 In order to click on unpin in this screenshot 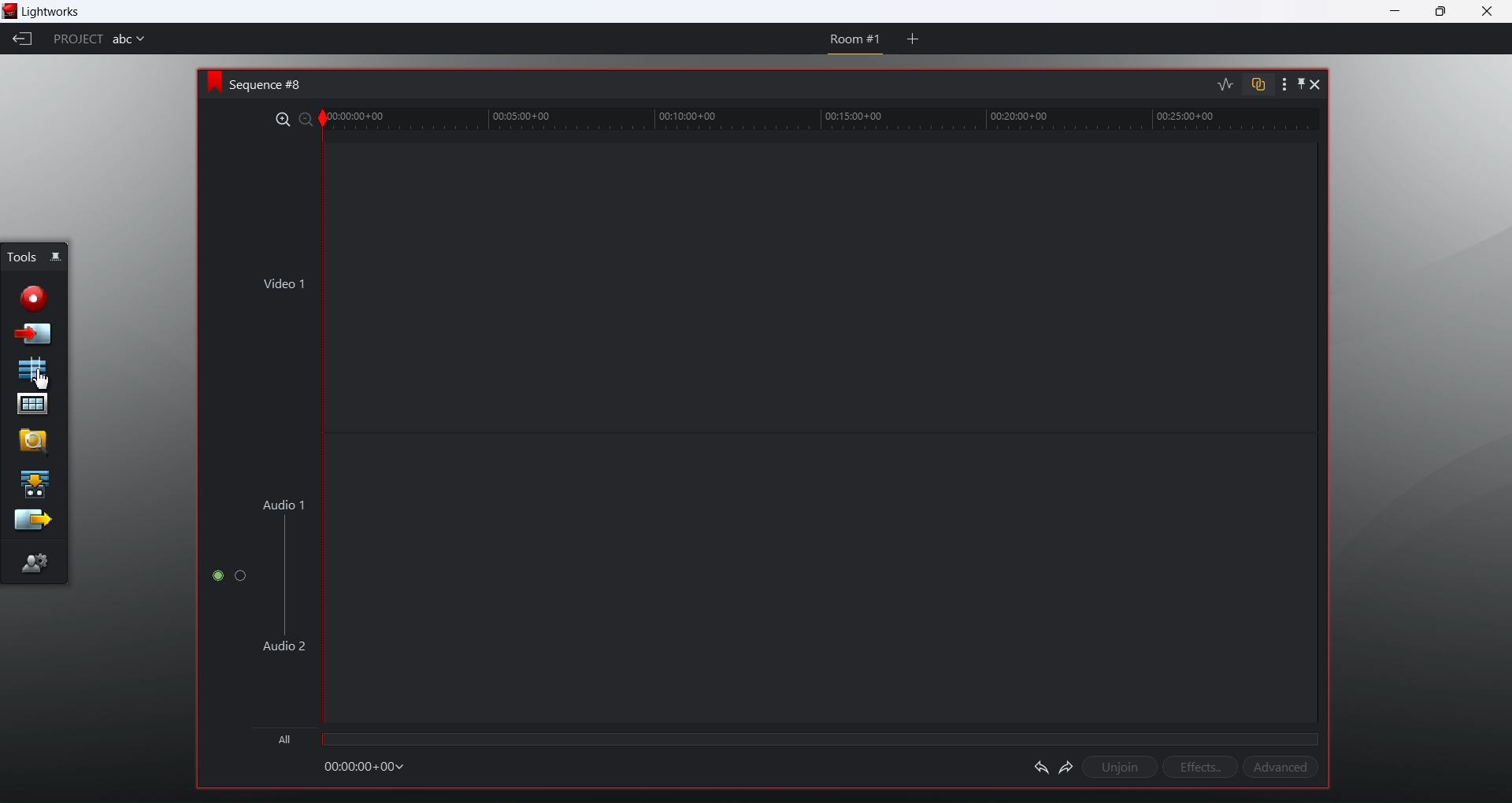, I will do `click(1117, 765)`.